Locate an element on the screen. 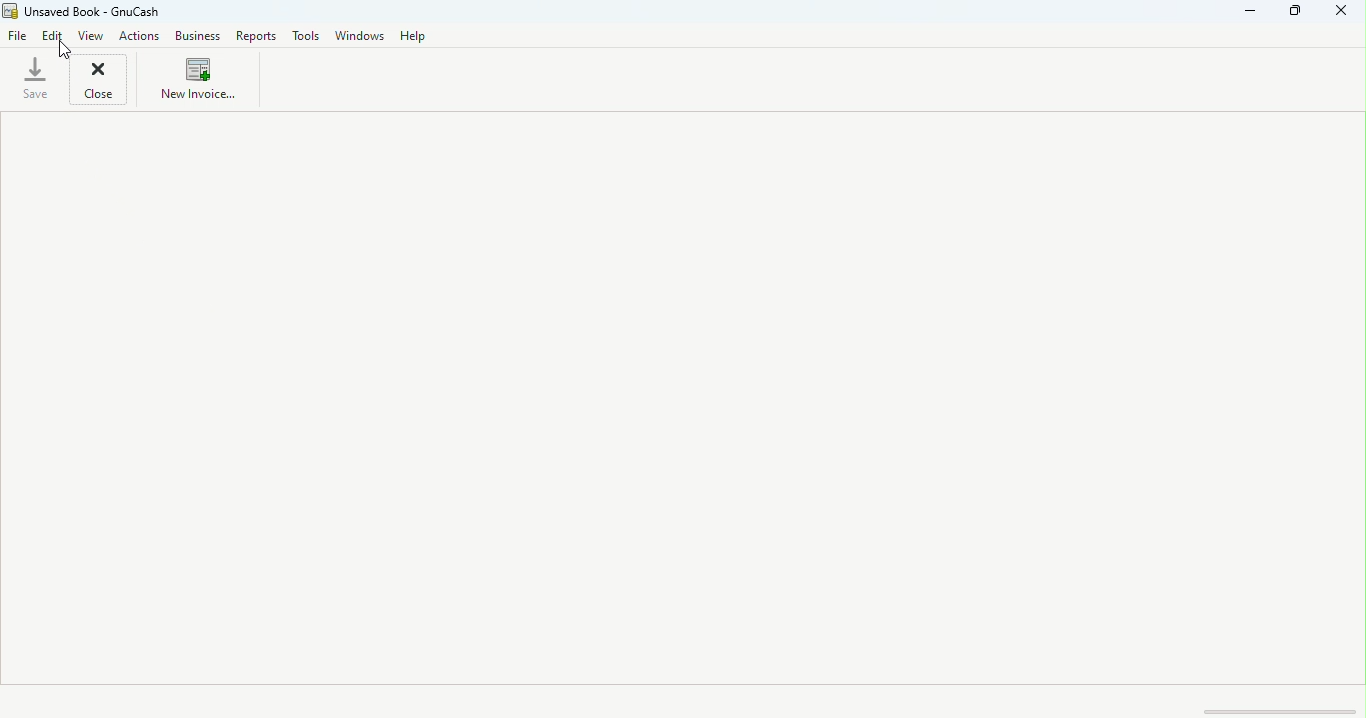 This screenshot has width=1366, height=718. Close is located at coordinates (101, 81).